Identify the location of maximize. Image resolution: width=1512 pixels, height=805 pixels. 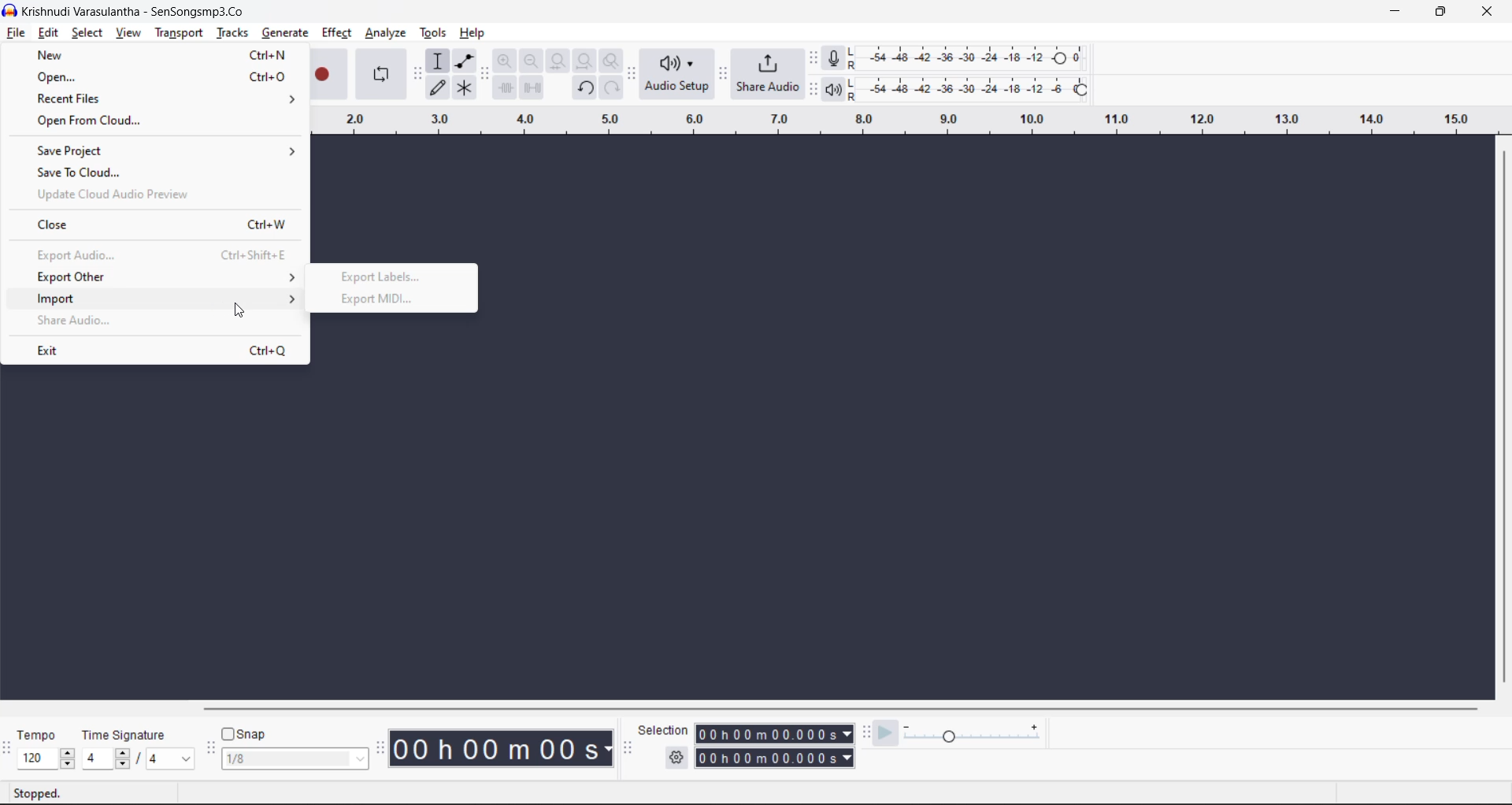
(1436, 12).